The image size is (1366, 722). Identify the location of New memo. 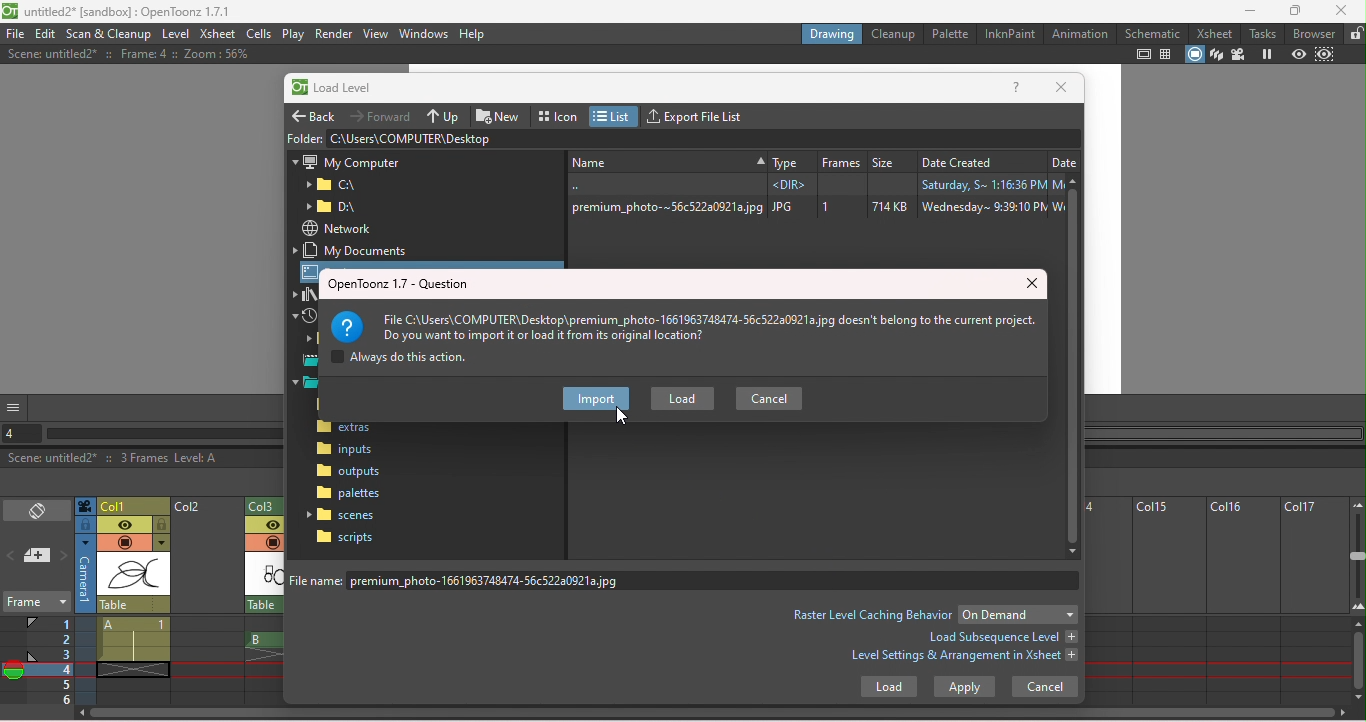
(38, 557).